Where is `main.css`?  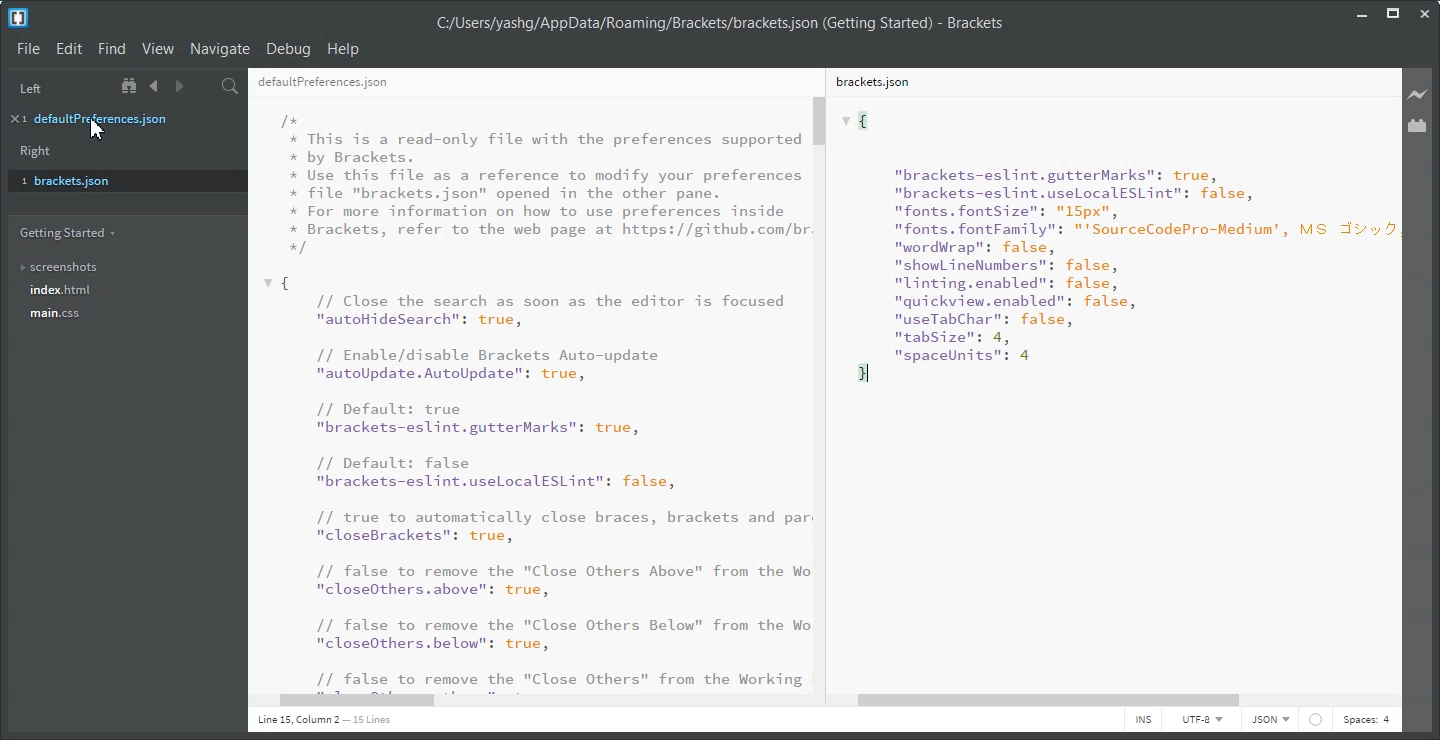
main.css is located at coordinates (121, 319).